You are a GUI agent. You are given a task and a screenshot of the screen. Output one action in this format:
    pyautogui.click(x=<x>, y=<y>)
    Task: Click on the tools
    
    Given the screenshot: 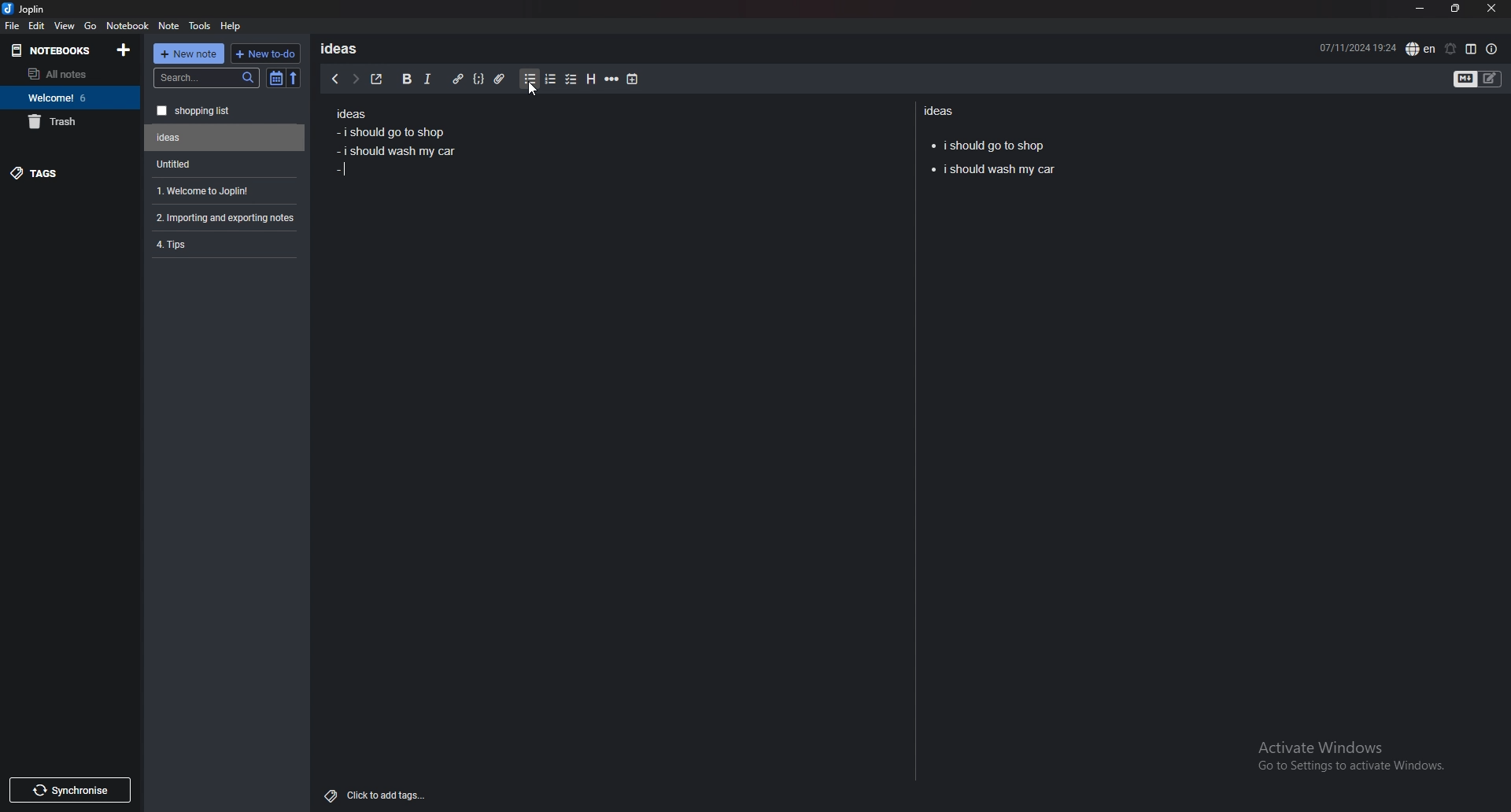 What is the action you would take?
    pyautogui.click(x=201, y=26)
    